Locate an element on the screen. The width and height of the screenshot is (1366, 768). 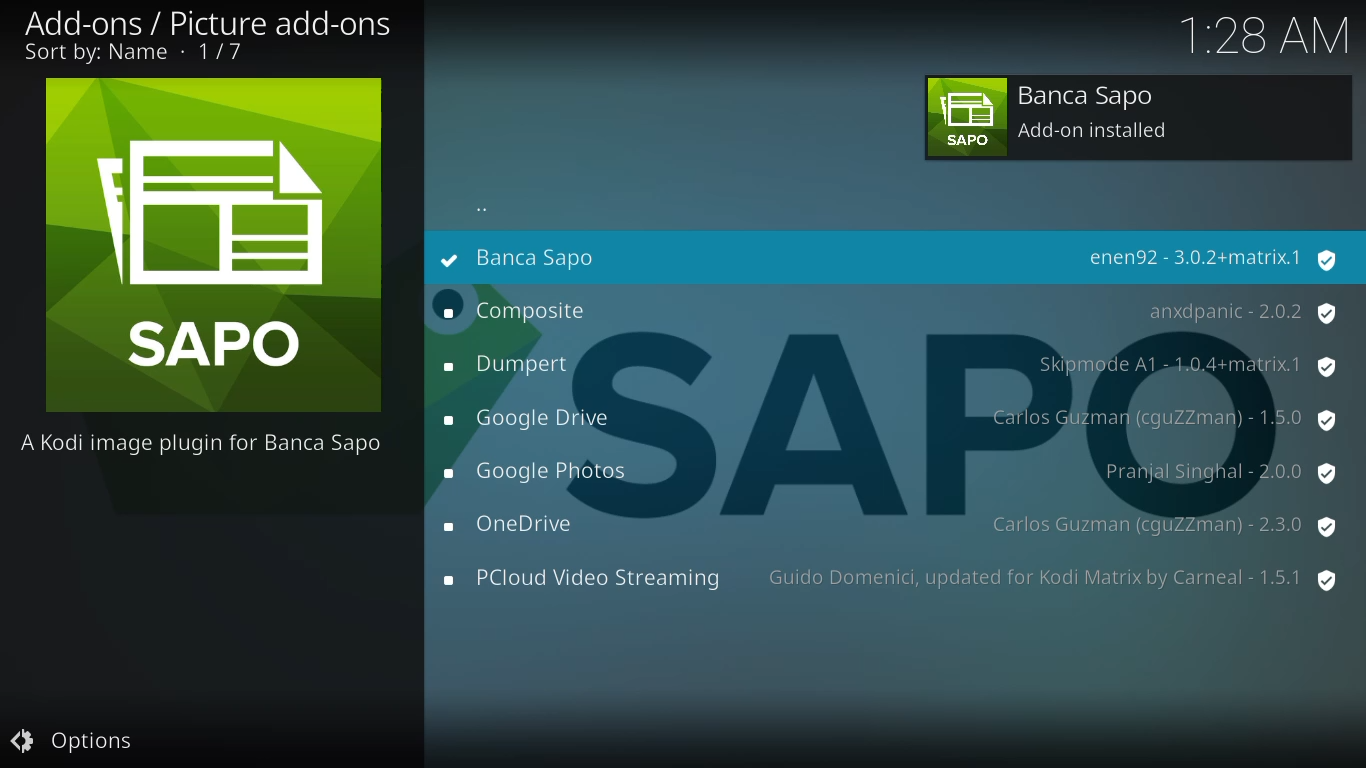
google drive is located at coordinates (535, 421).